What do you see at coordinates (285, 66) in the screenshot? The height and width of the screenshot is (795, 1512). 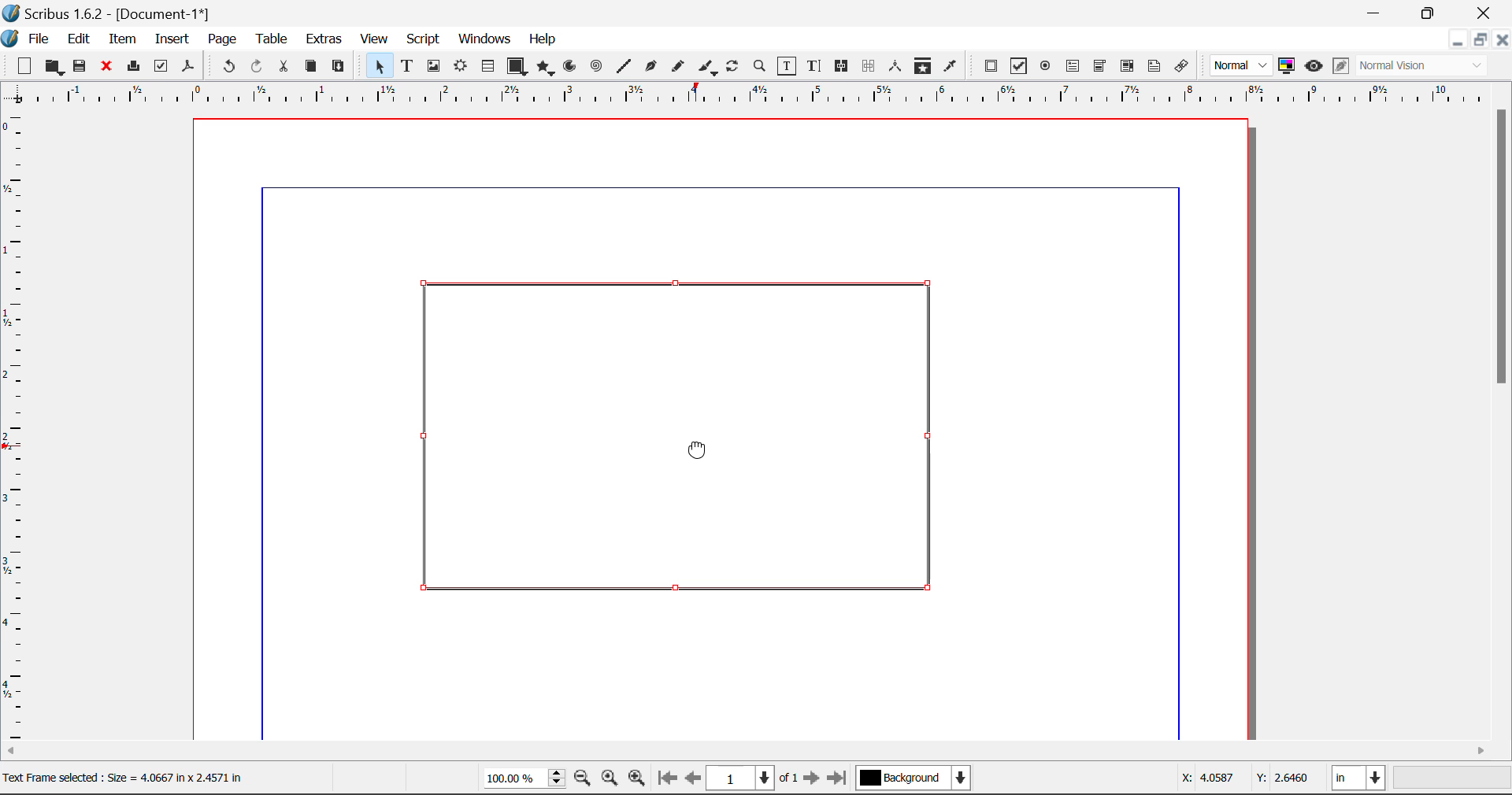 I see `Cut` at bounding box center [285, 66].